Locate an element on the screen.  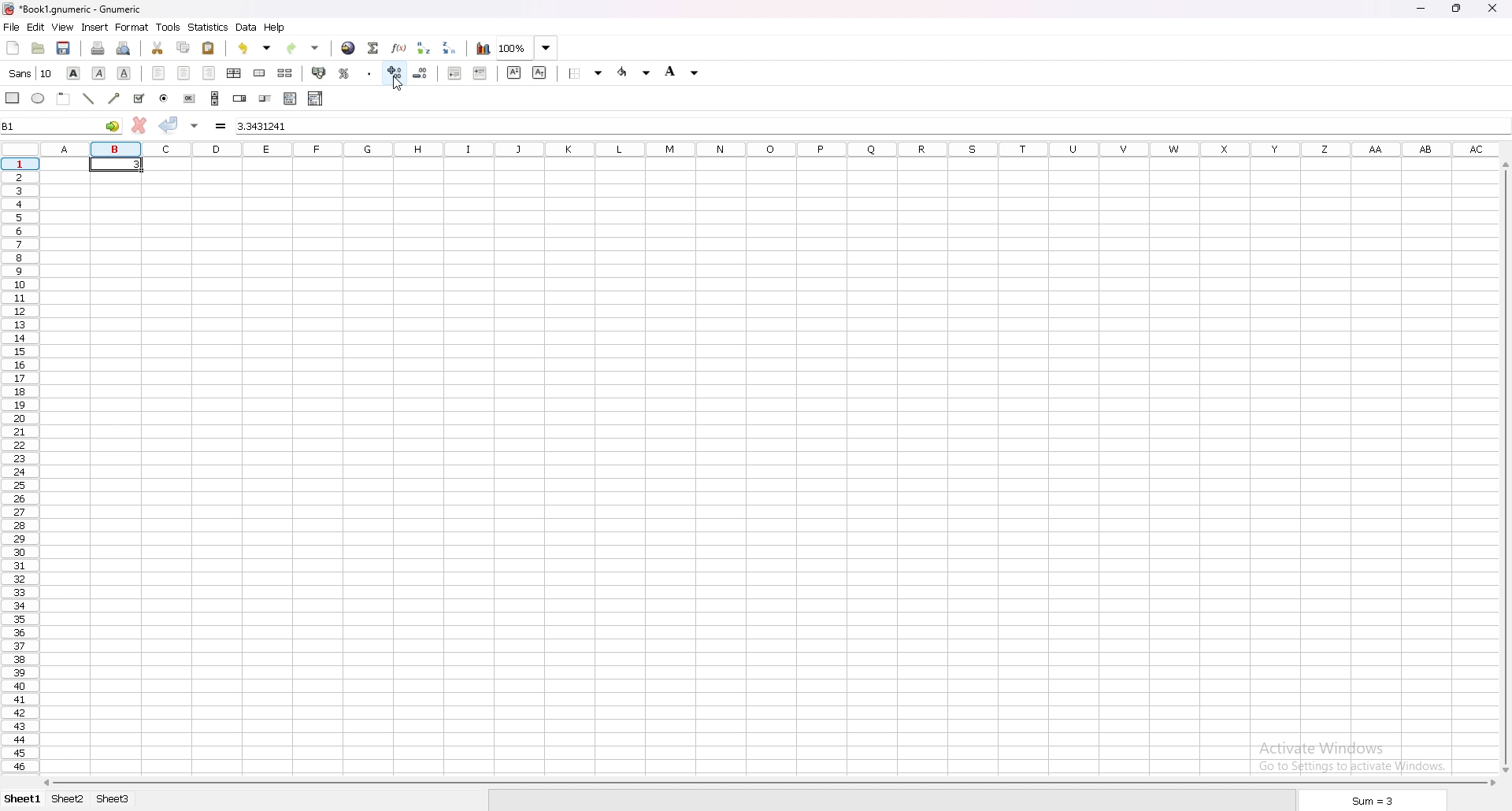
slider is located at coordinates (266, 98).